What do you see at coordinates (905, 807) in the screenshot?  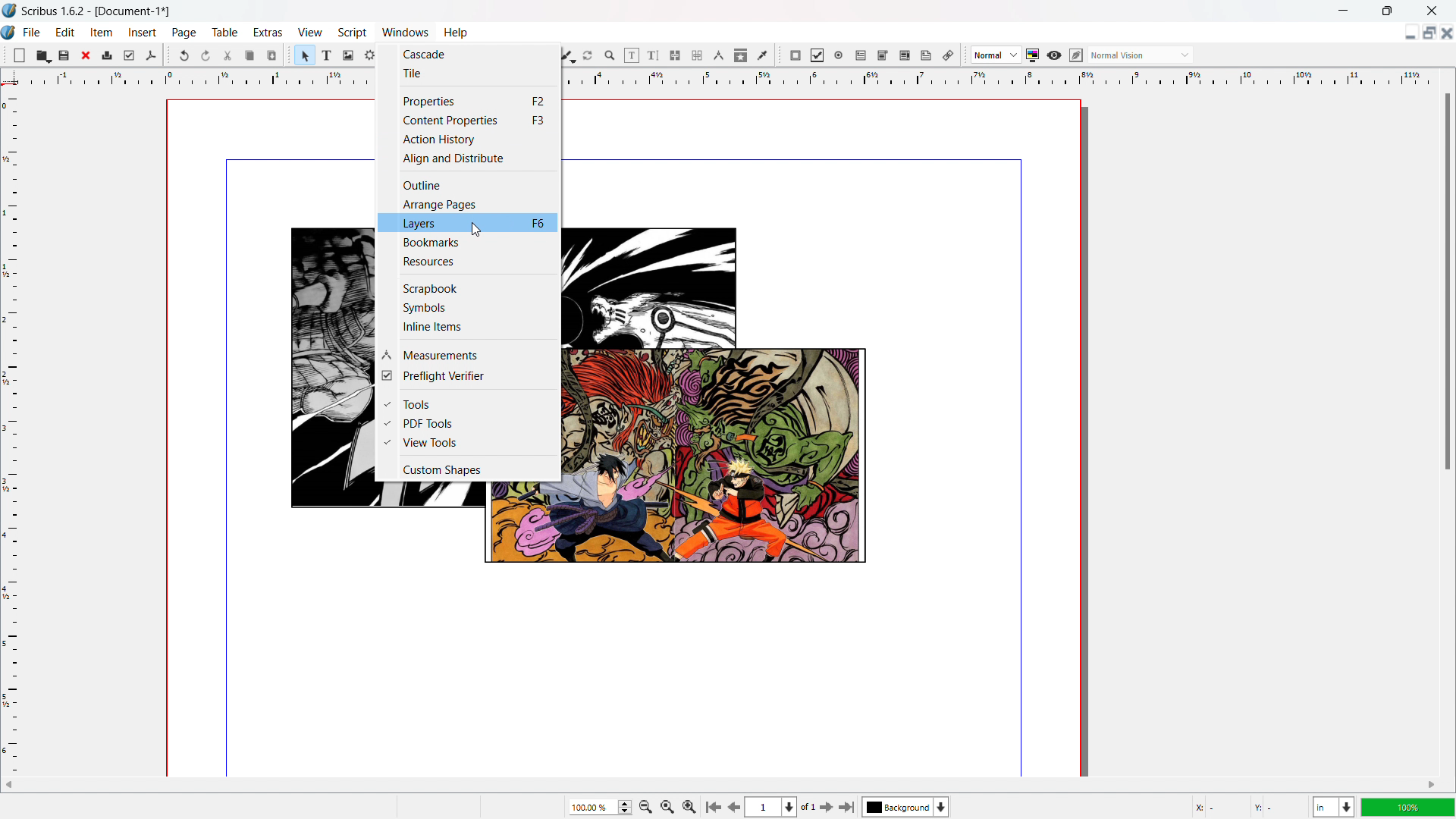 I see `select current layer` at bounding box center [905, 807].